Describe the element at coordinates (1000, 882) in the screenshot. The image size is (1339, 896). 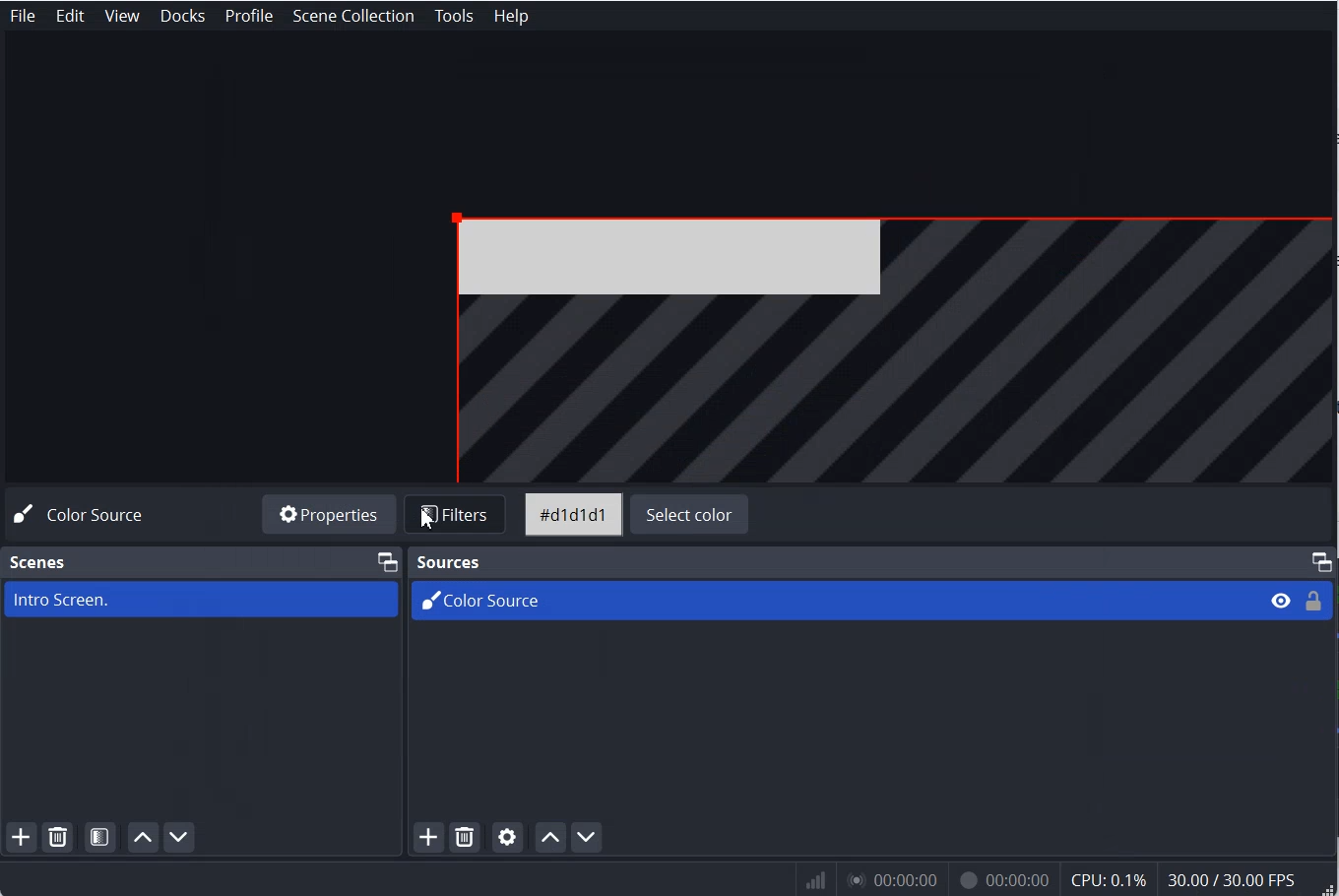
I see `00:00:00` at that location.